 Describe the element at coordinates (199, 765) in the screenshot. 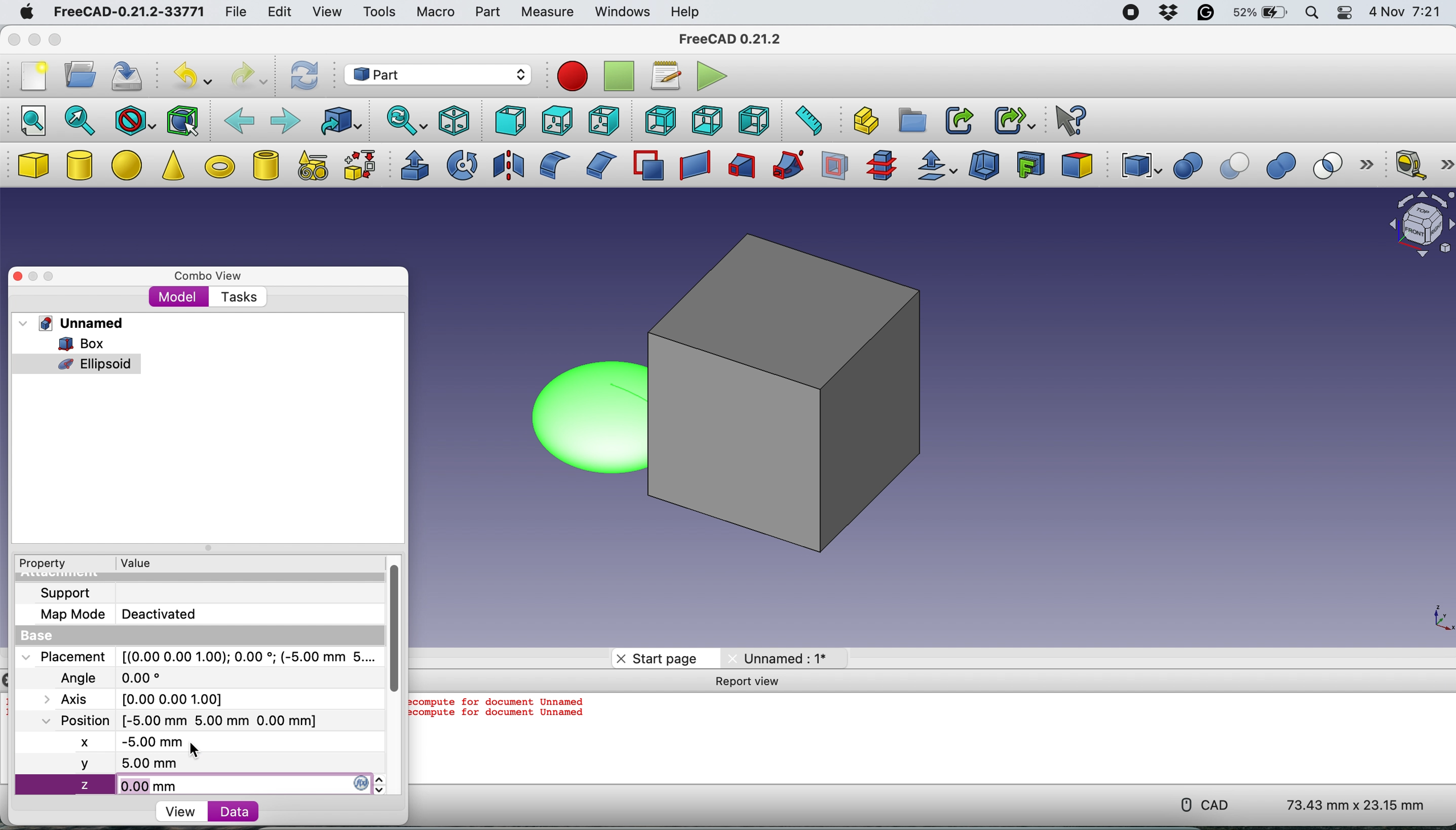

I see `y 5.00 mm` at that location.